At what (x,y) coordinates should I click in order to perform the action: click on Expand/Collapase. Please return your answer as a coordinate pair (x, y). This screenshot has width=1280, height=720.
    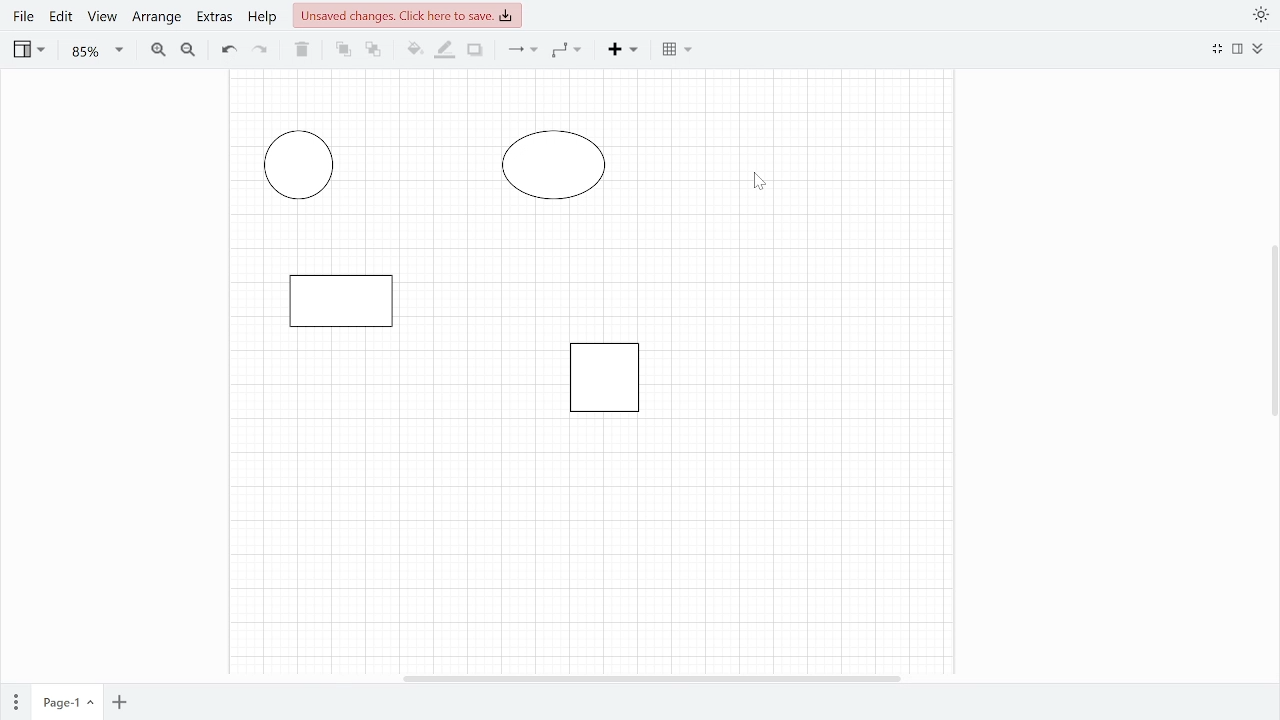
    Looking at the image, I should click on (1259, 49).